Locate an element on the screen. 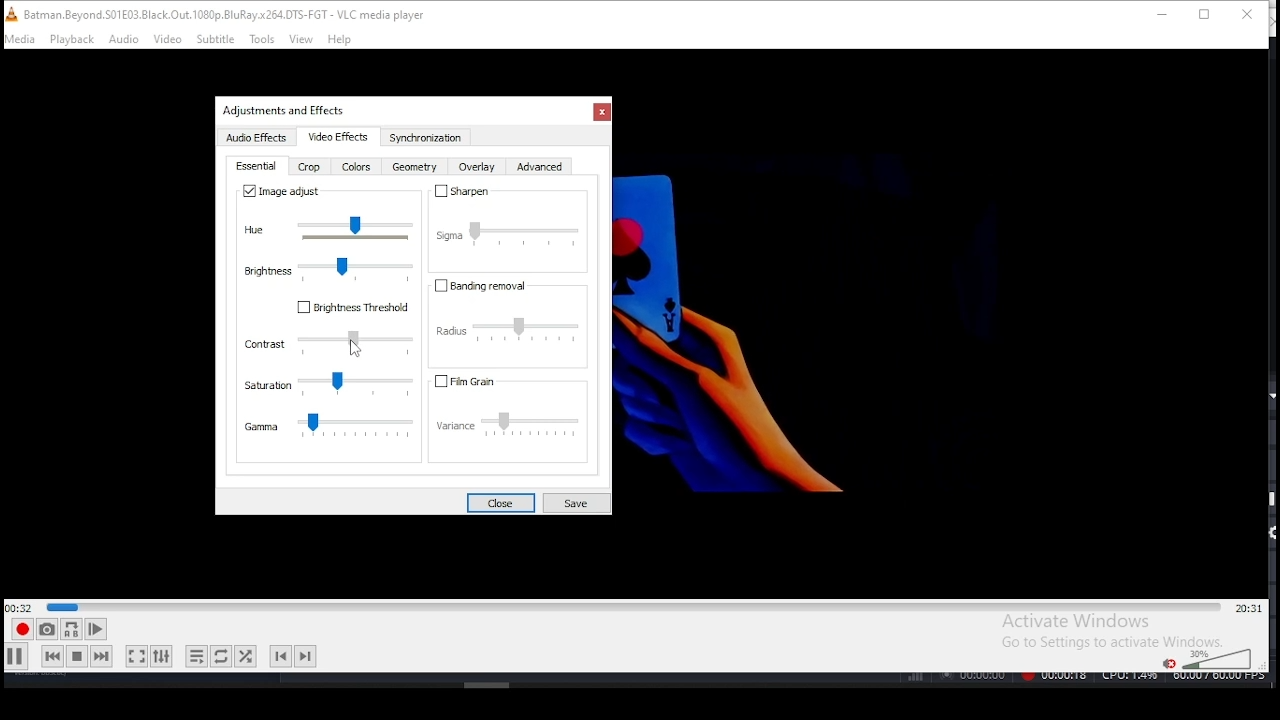 This screenshot has height=720, width=1280. restore is located at coordinates (1204, 16).